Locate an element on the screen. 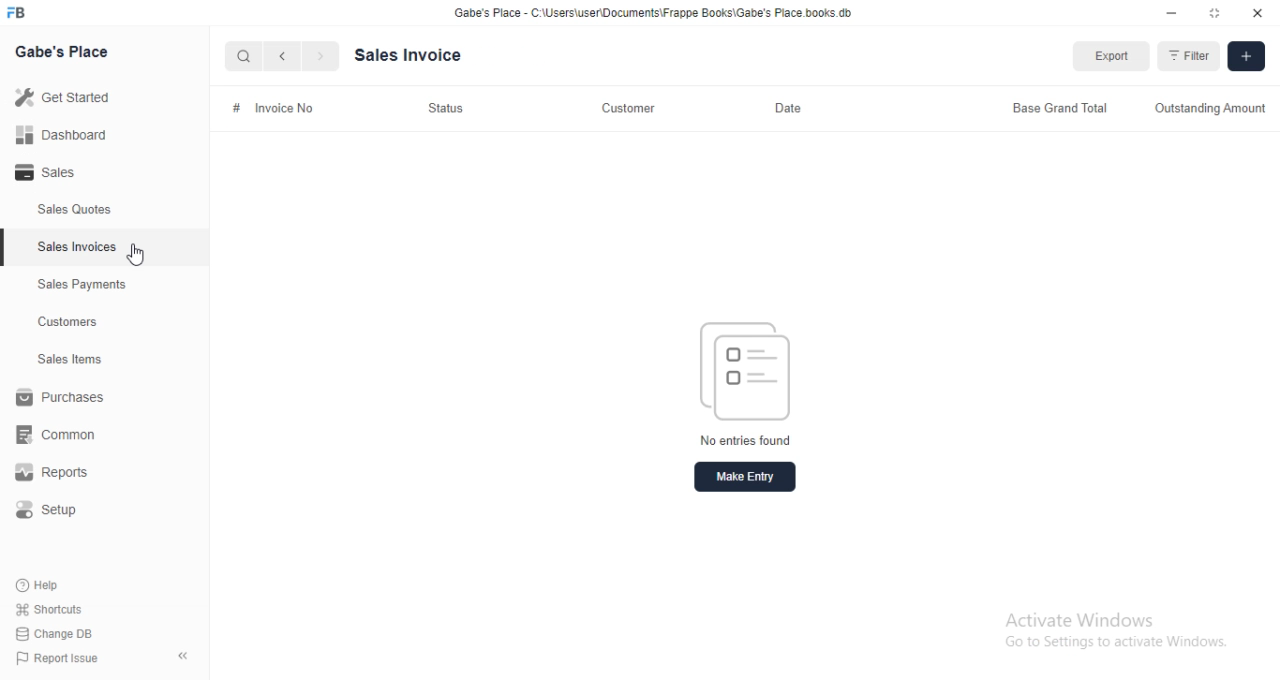  No entries found is located at coordinates (750, 384).